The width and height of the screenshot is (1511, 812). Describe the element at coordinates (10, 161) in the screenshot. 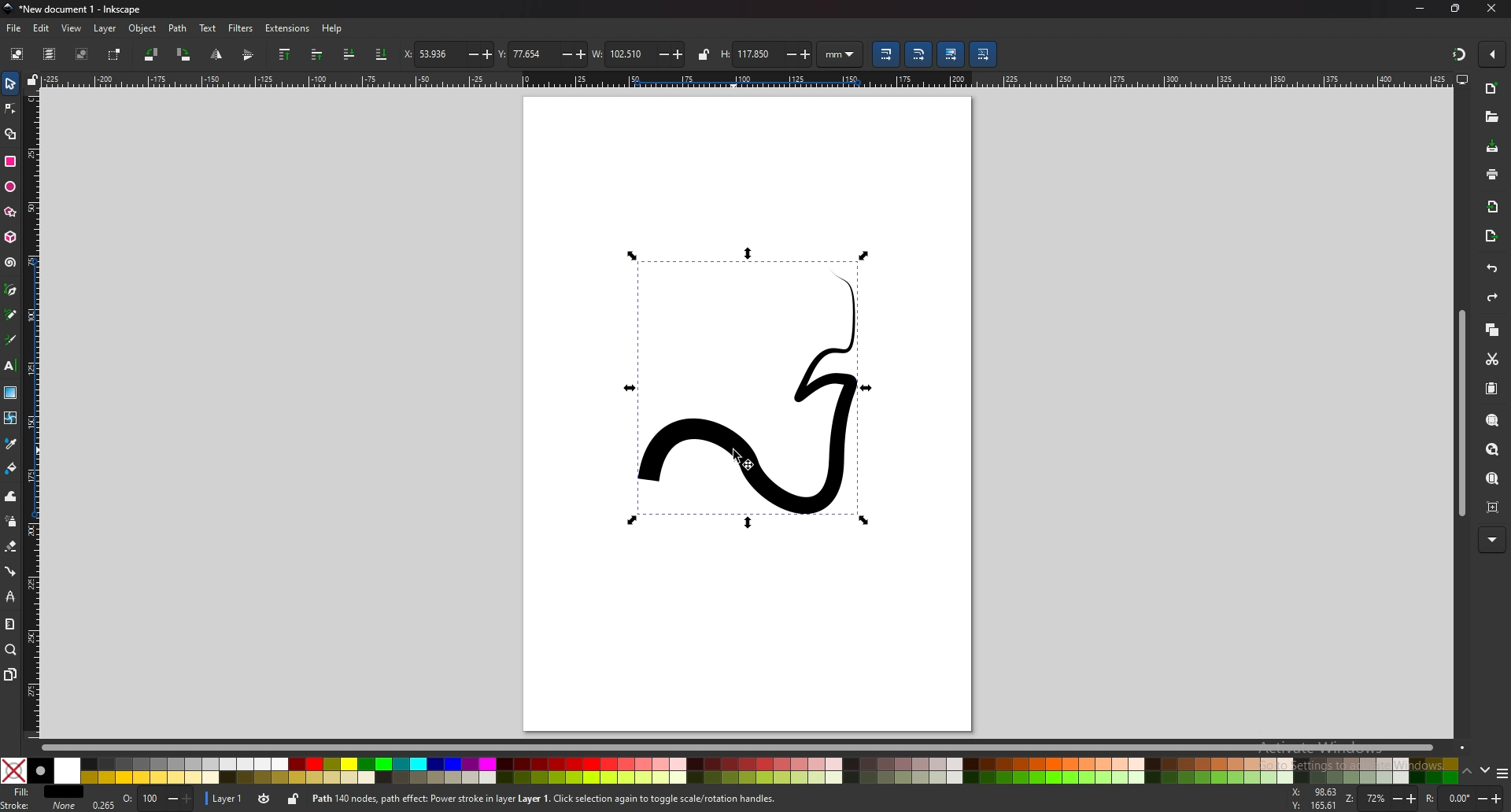

I see `rectangle` at that location.